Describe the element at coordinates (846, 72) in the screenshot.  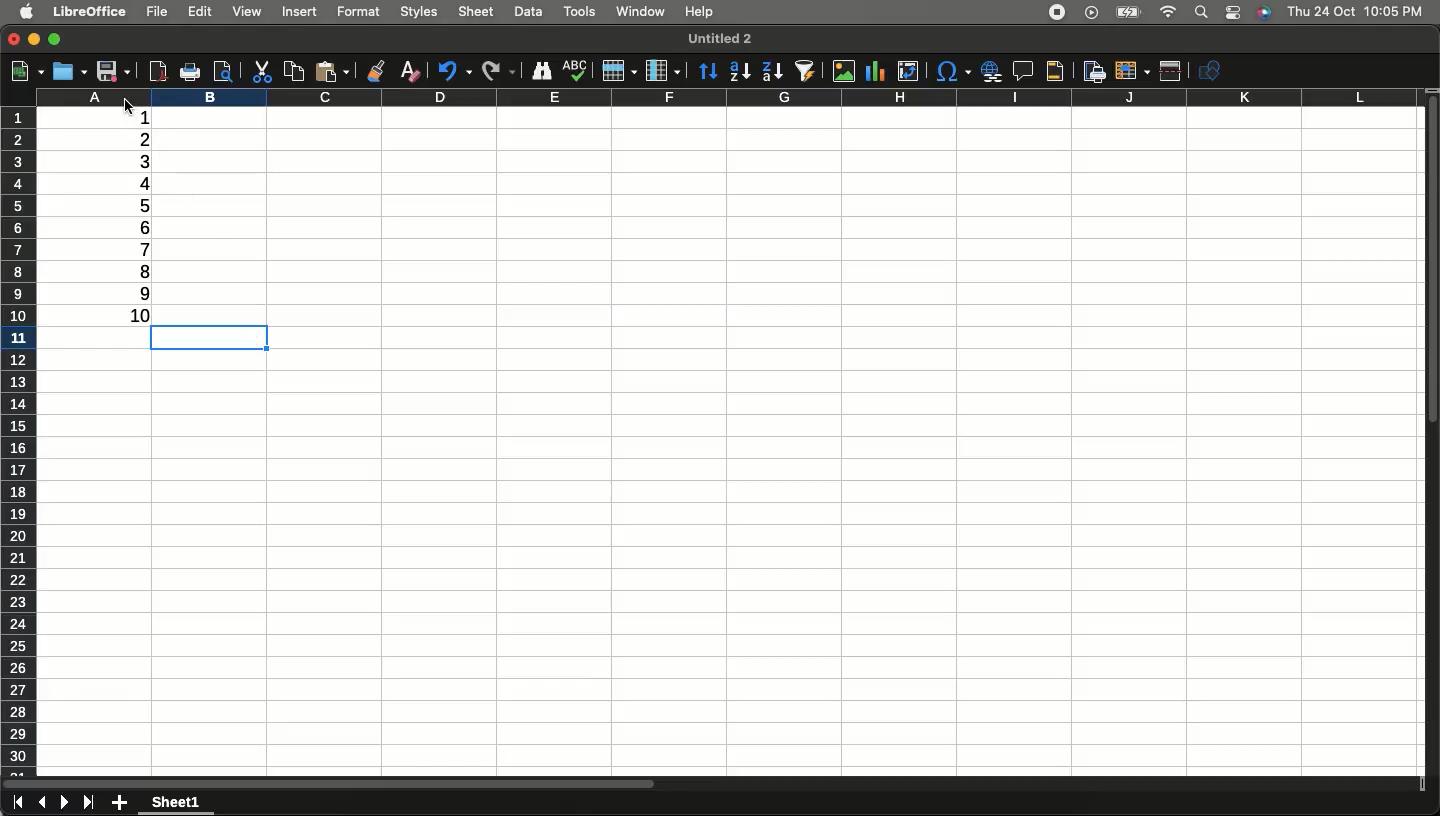
I see `Insert image` at that location.